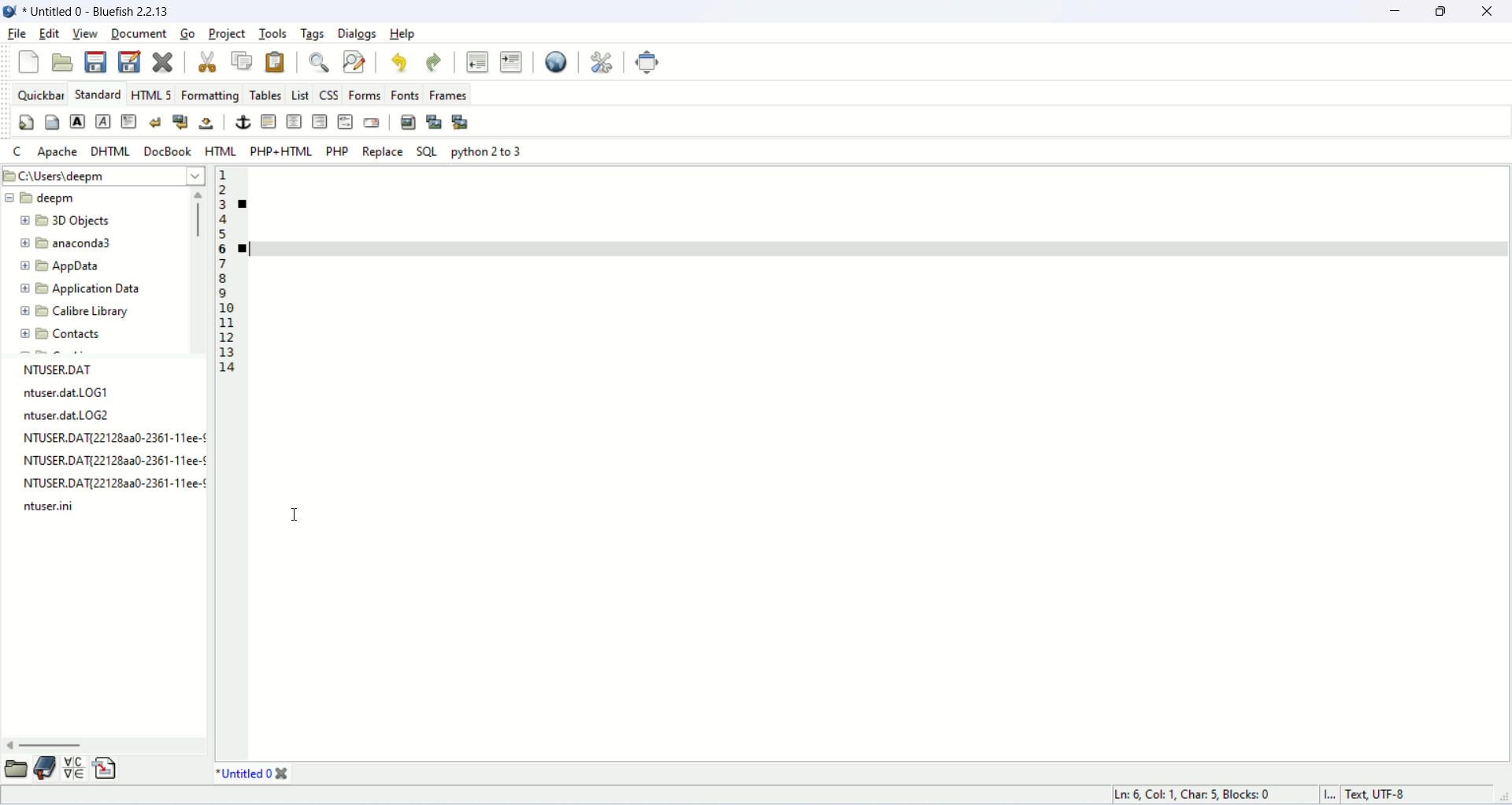  What do you see at coordinates (76, 123) in the screenshot?
I see `strong` at bounding box center [76, 123].